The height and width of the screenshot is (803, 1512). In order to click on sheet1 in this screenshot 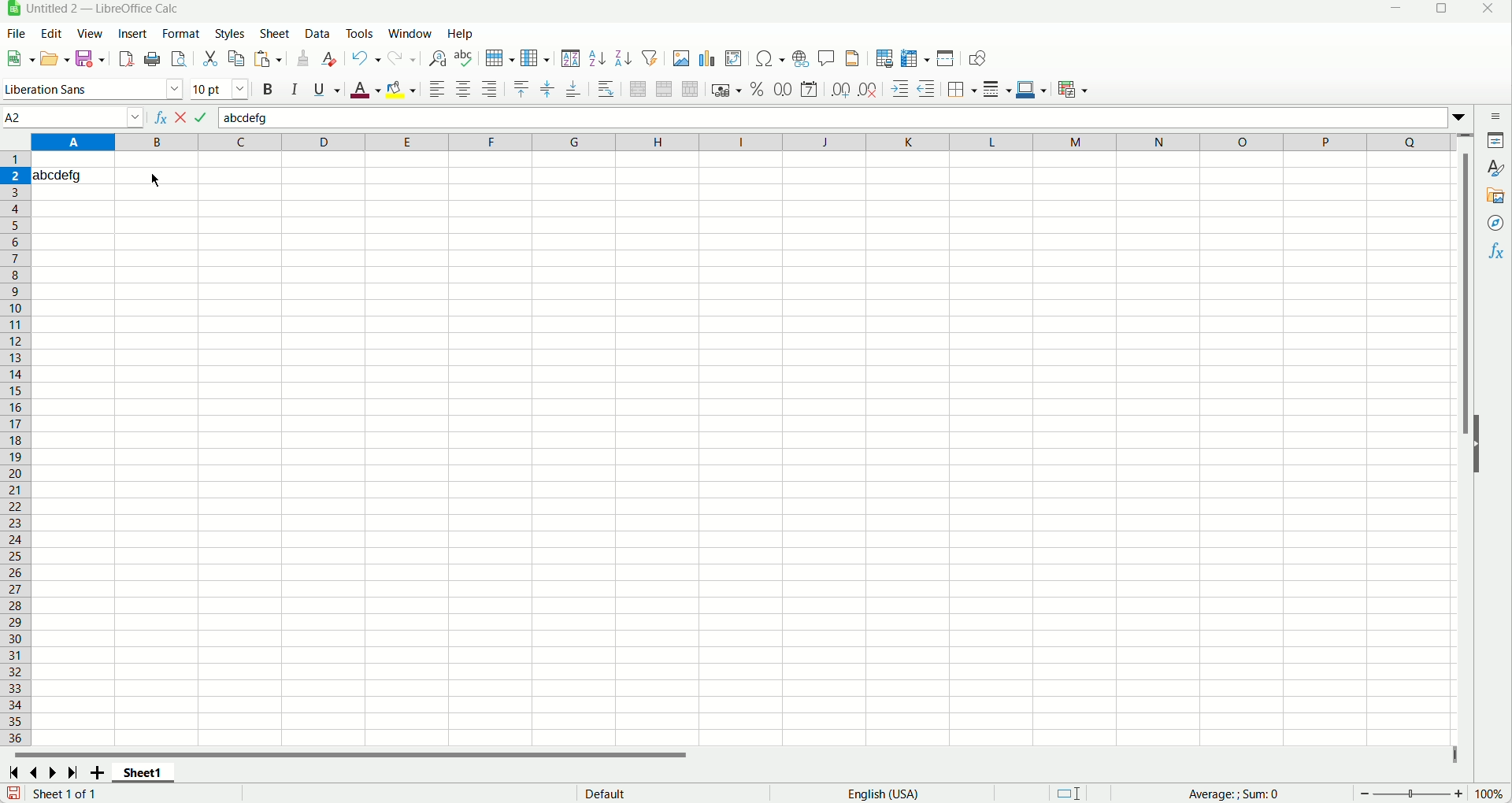, I will do `click(140, 774)`.